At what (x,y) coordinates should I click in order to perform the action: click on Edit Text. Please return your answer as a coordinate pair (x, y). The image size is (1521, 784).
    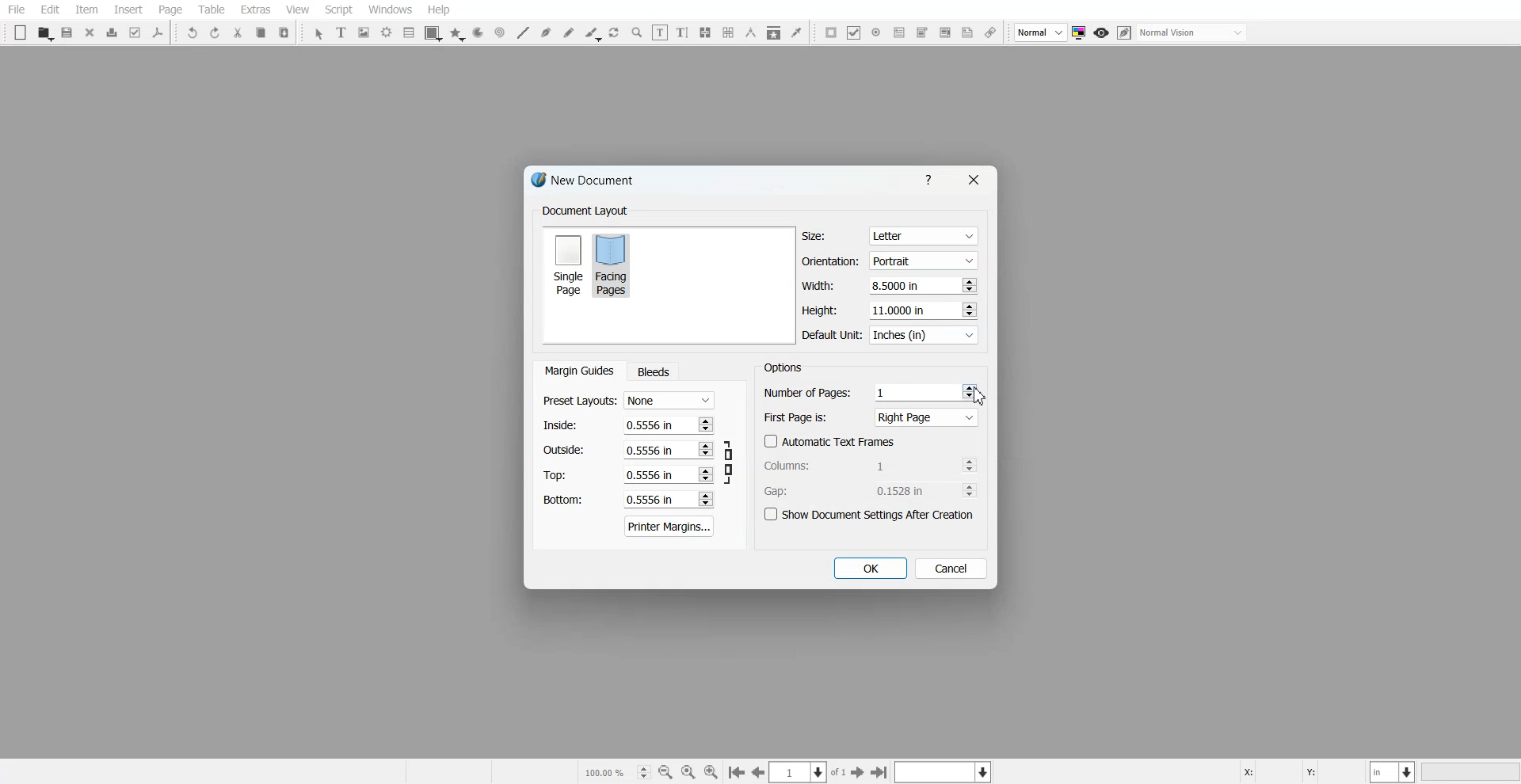
    Looking at the image, I should click on (682, 32).